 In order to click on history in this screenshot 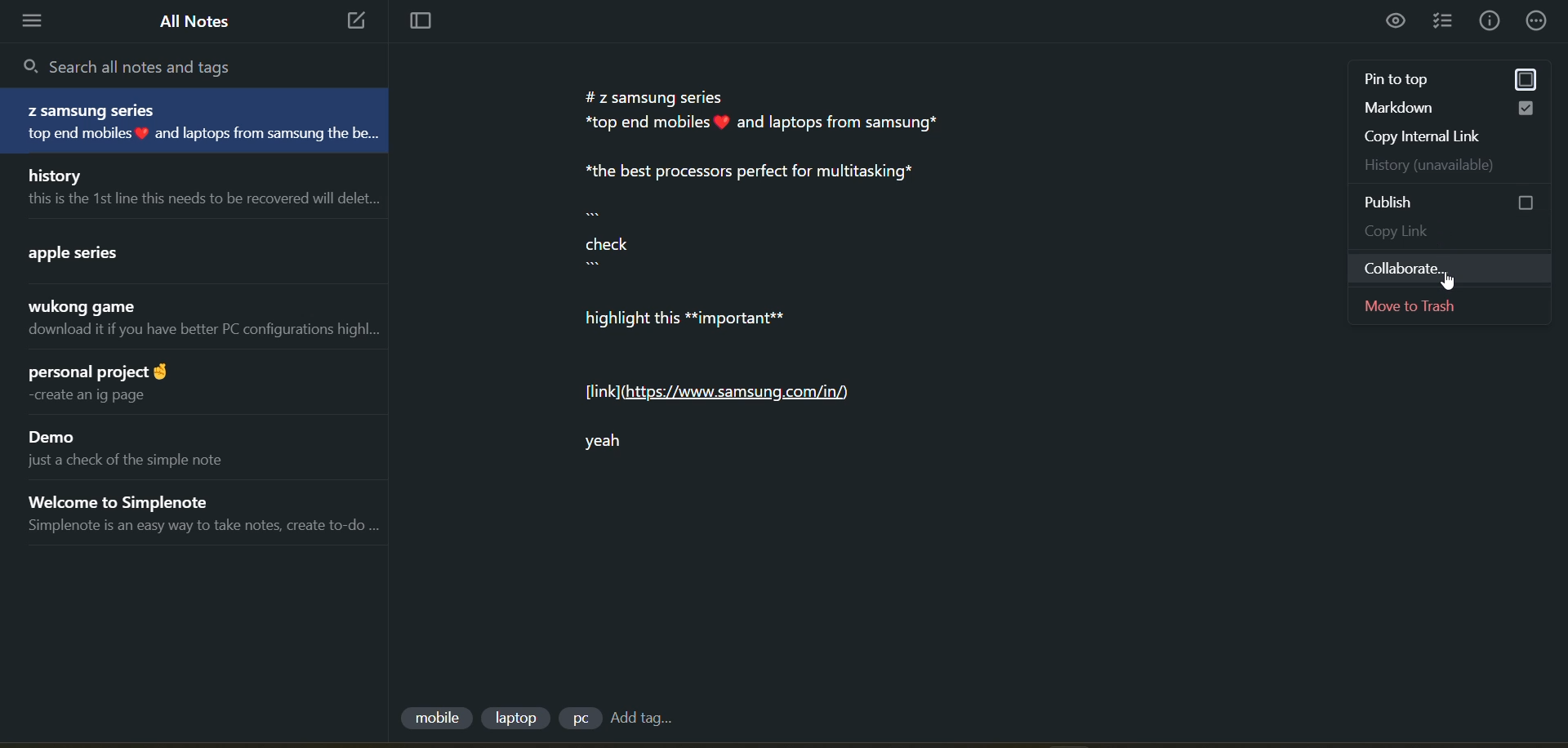, I will do `click(1465, 168)`.